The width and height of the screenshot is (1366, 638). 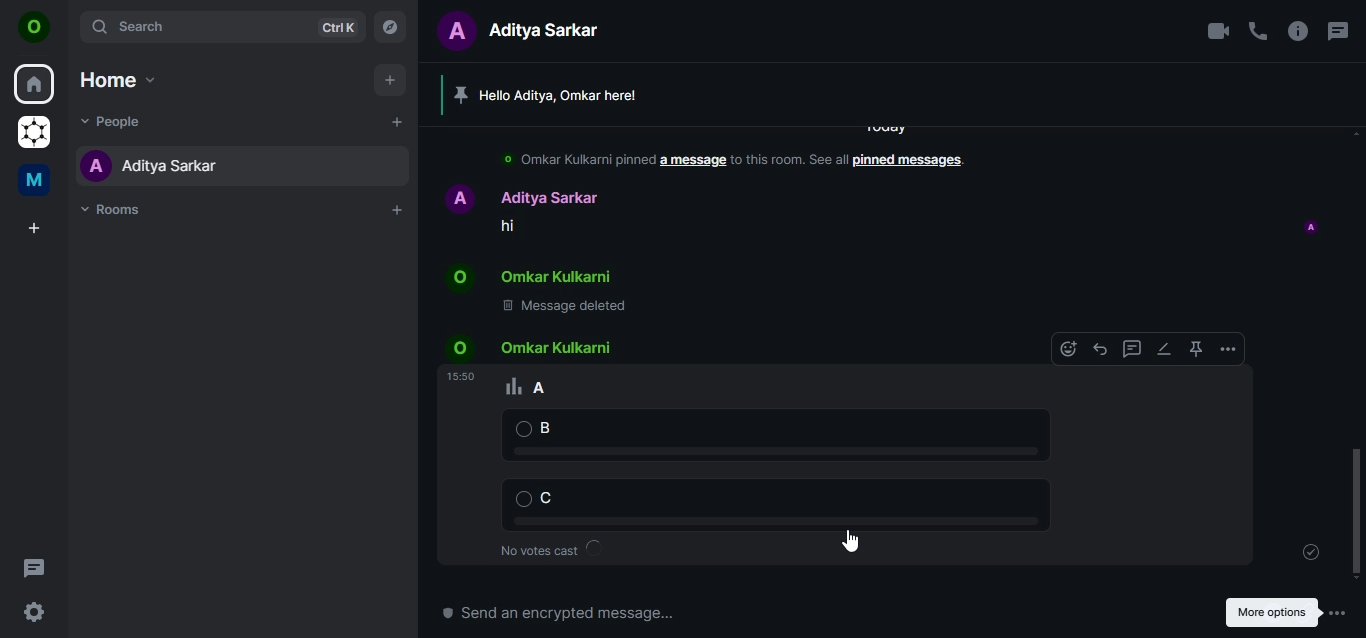 What do you see at coordinates (151, 165) in the screenshot?
I see `aditya sarkar` at bounding box center [151, 165].